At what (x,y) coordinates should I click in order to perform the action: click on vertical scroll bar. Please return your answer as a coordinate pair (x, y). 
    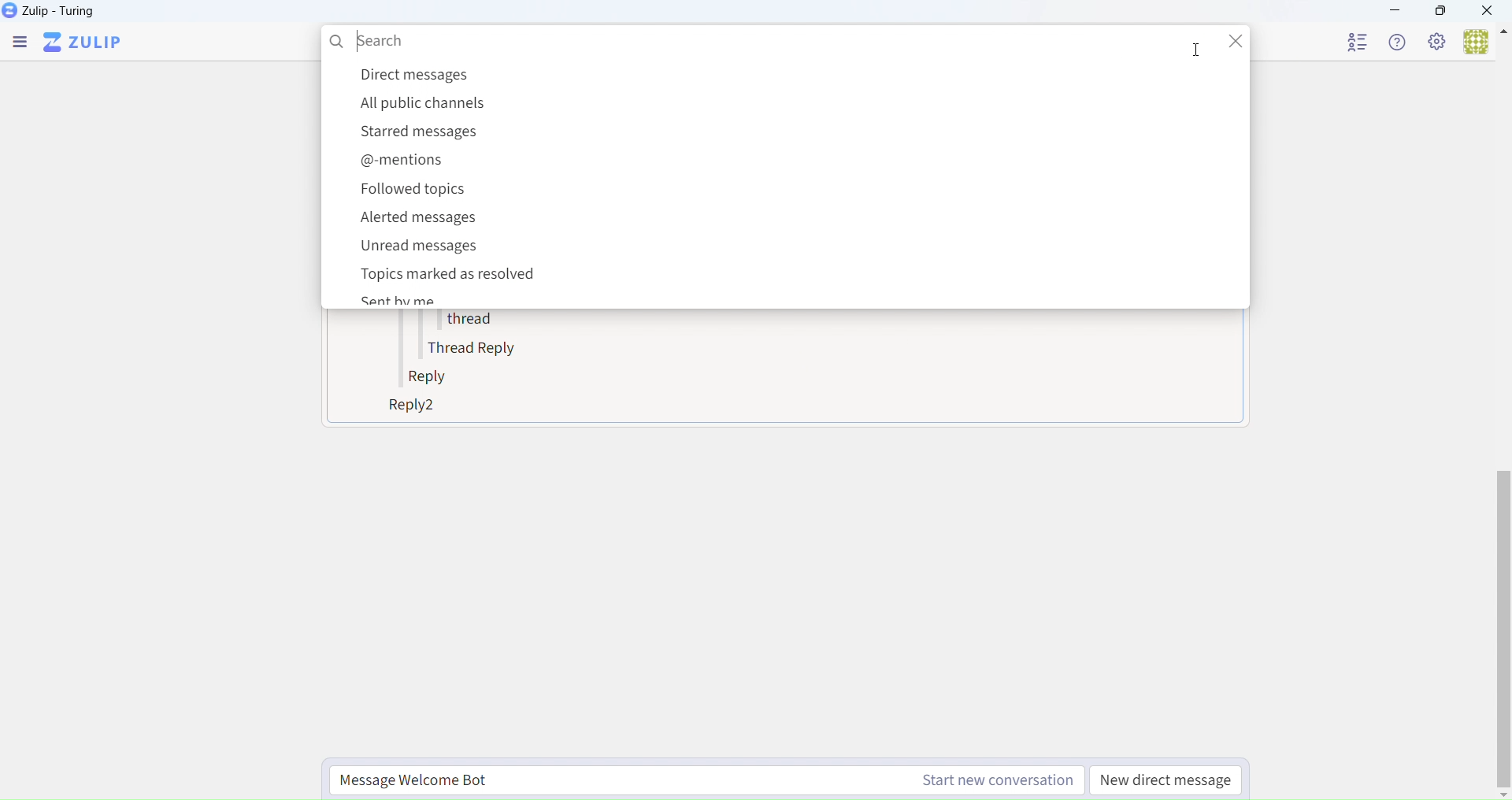
    Looking at the image, I should click on (1503, 631).